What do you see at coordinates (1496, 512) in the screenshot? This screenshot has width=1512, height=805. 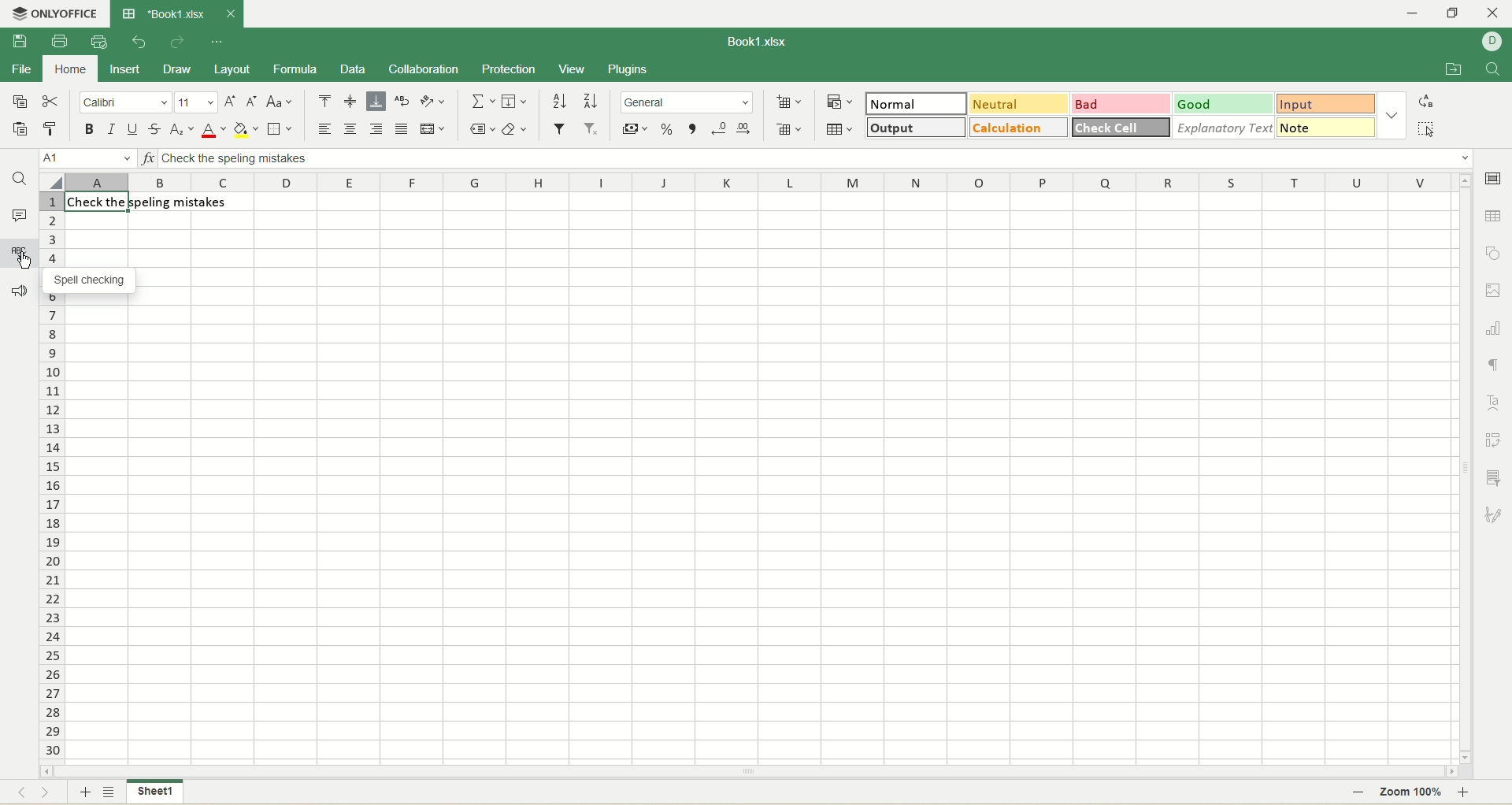 I see `signature settings` at bounding box center [1496, 512].